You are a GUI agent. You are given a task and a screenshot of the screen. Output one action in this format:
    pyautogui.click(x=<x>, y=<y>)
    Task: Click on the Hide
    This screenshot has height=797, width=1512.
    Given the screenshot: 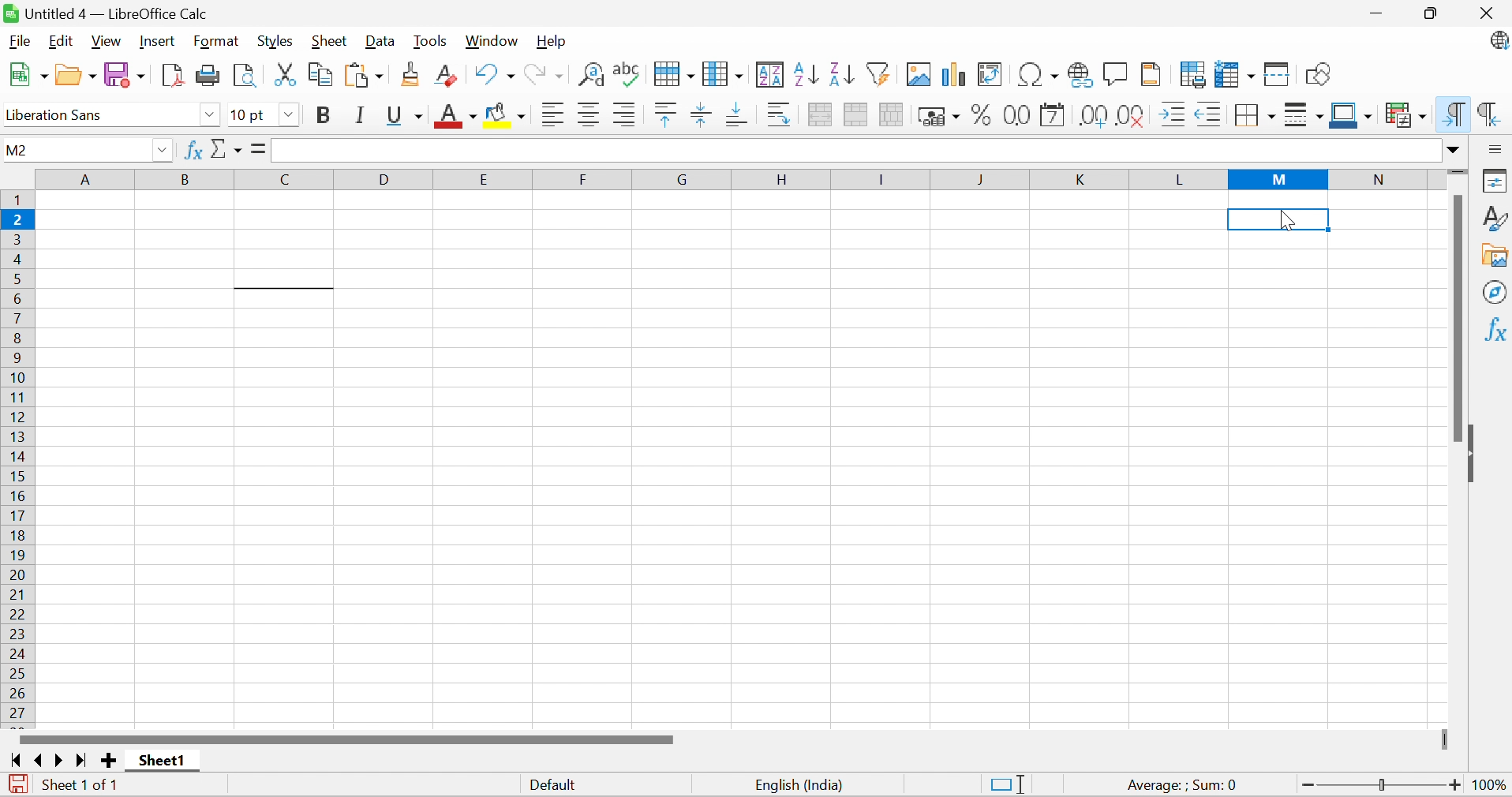 What is the action you would take?
    pyautogui.click(x=1472, y=456)
    